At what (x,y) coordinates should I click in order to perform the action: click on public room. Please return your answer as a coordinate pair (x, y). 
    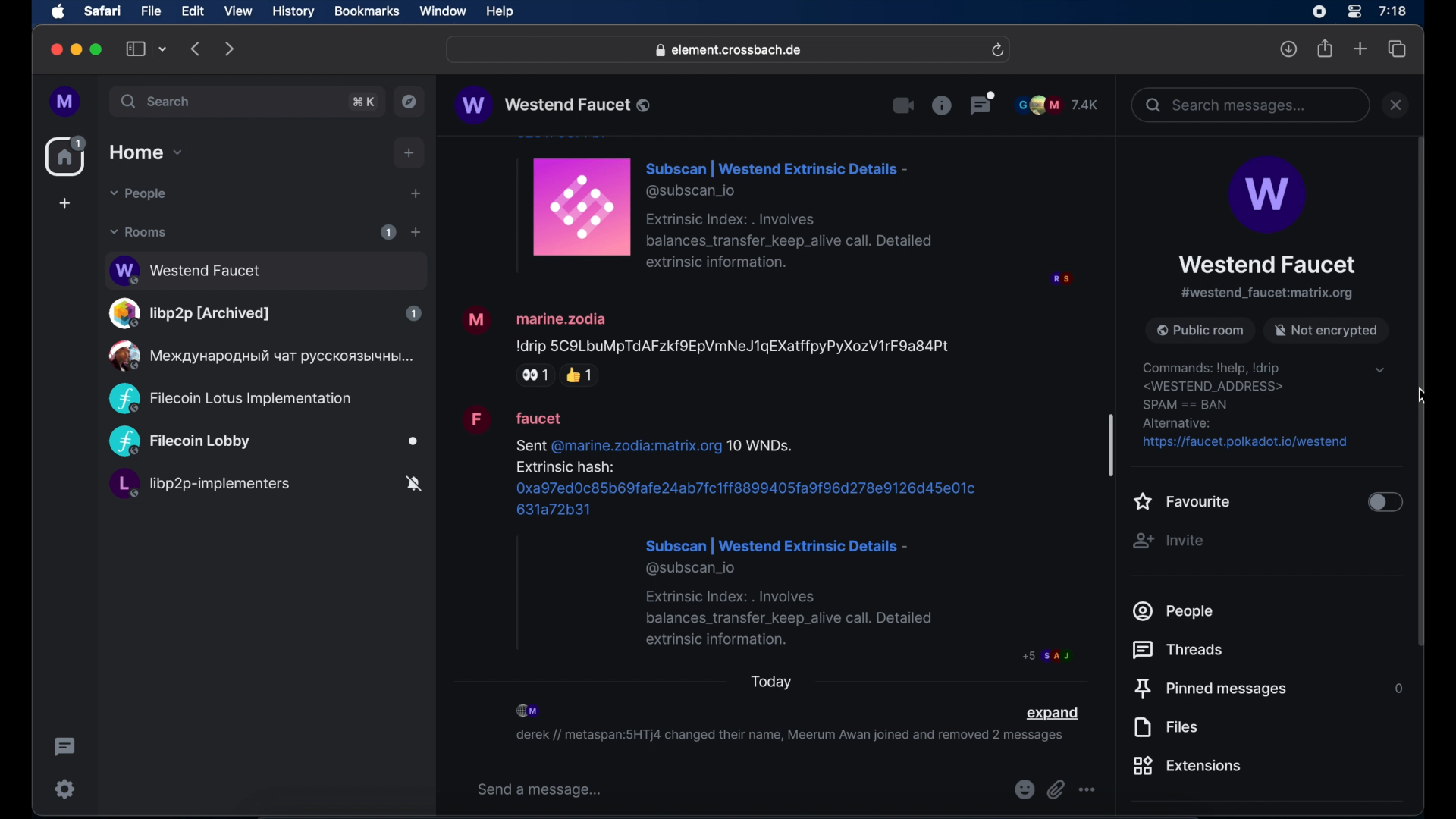
    Looking at the image, I should click on (265, 486).